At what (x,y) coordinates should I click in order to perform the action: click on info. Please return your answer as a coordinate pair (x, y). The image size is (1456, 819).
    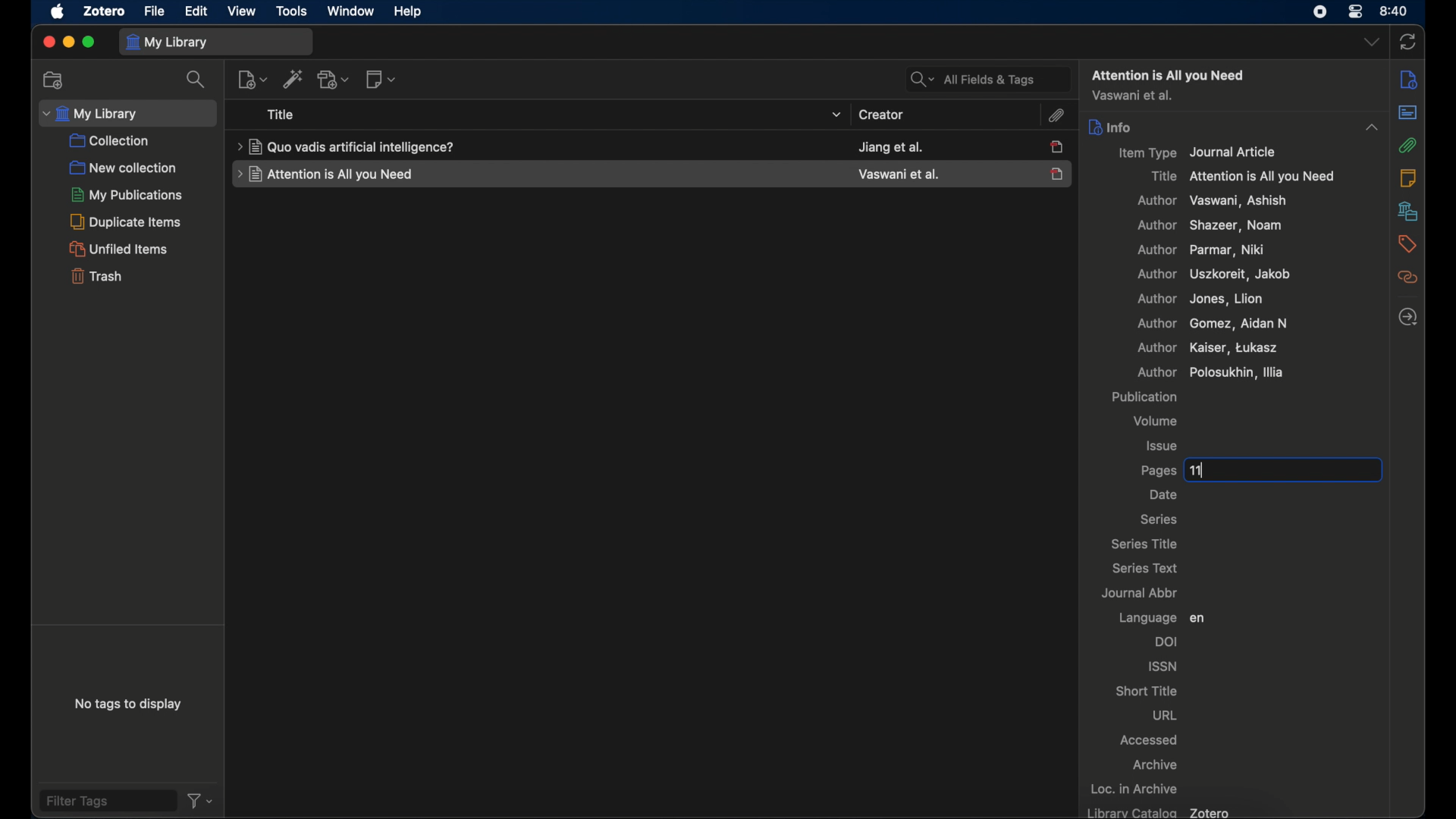
    Looking at the image, I should click on (1112, 127).